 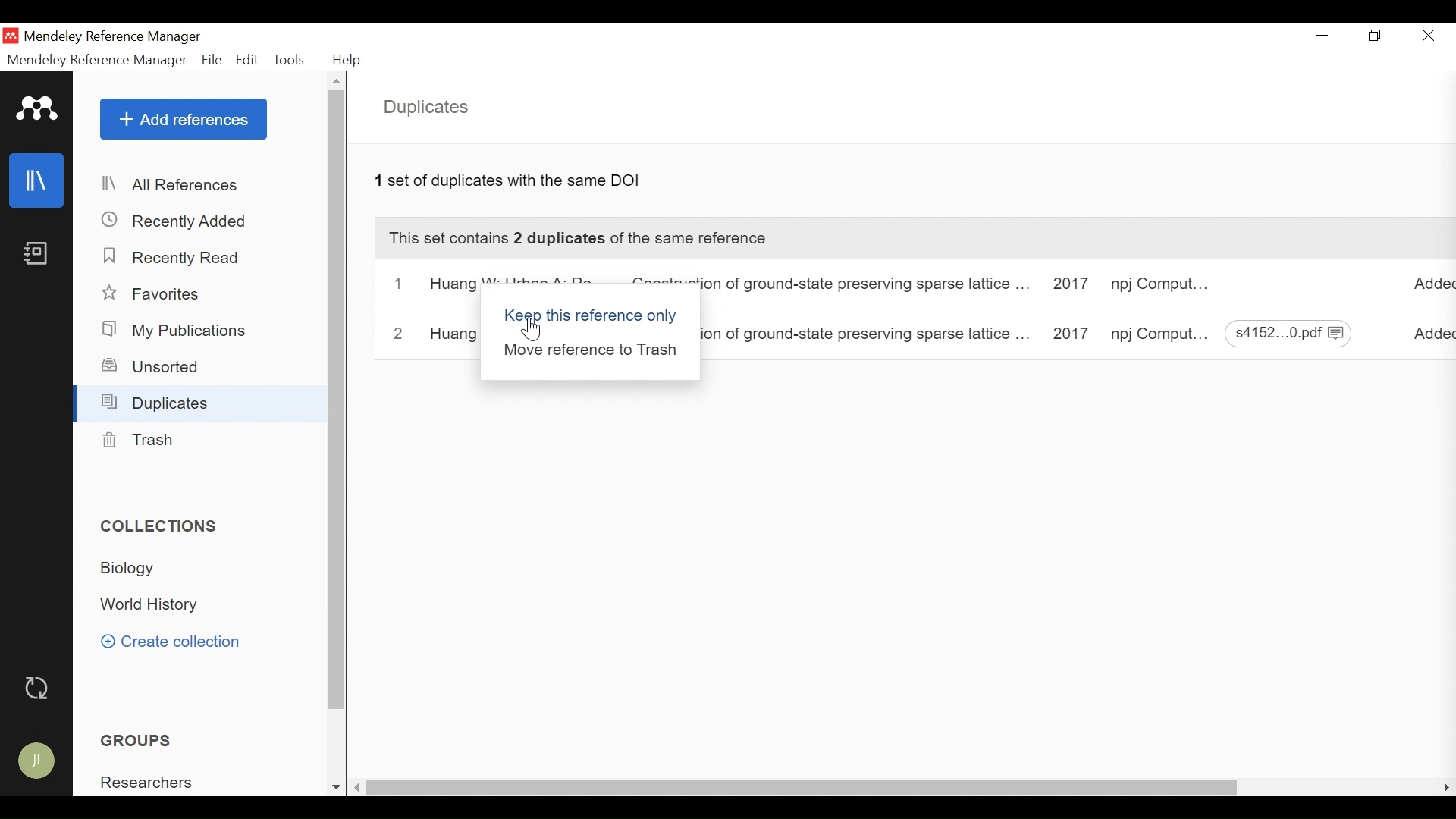 What do you see at coordinates (1446, 789) in the screenshot?
I see `Scroll Right` at bounding box center [1446, 789].